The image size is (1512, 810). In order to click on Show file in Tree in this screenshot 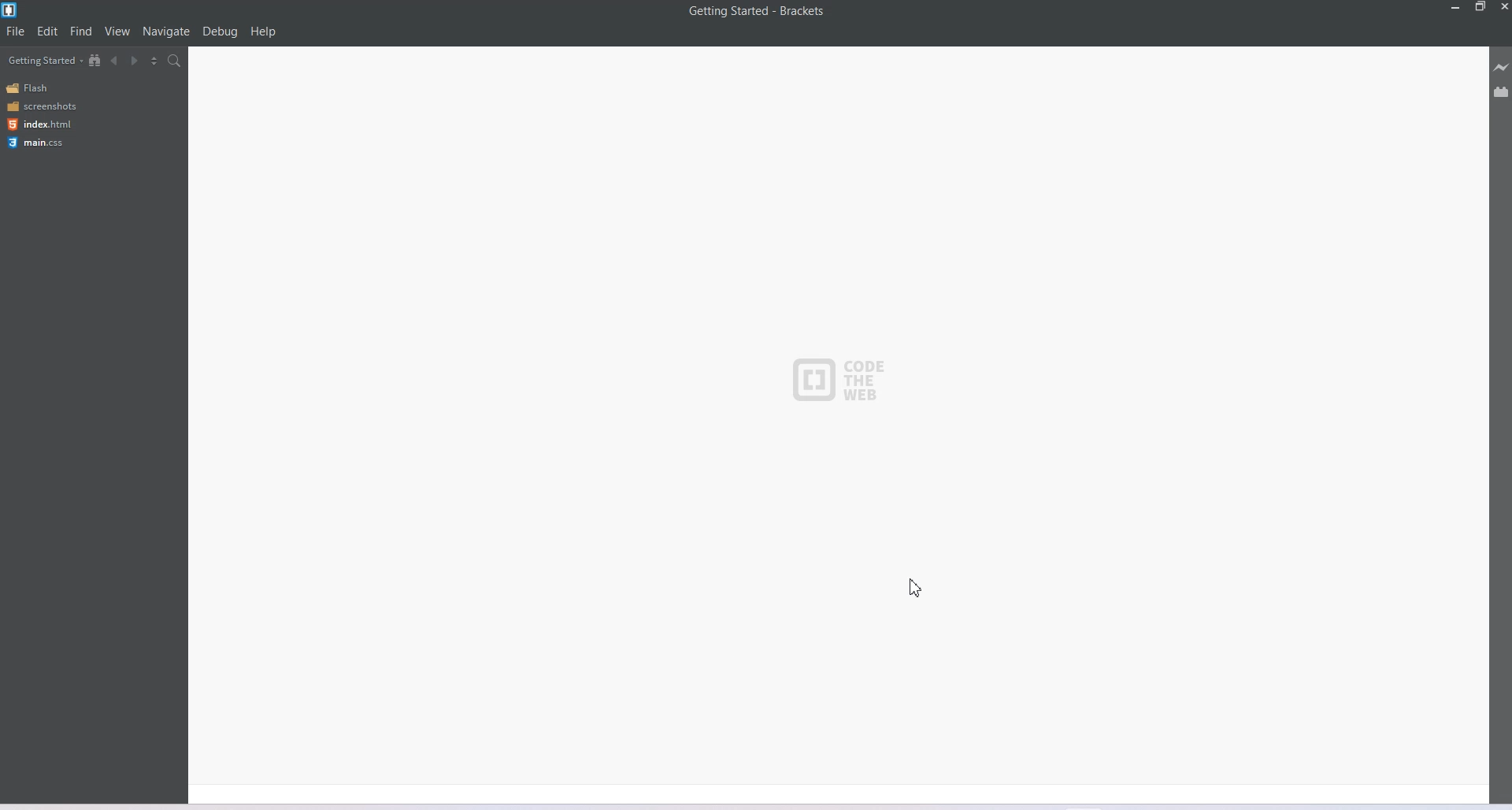, I will do `click(95, 59)`.